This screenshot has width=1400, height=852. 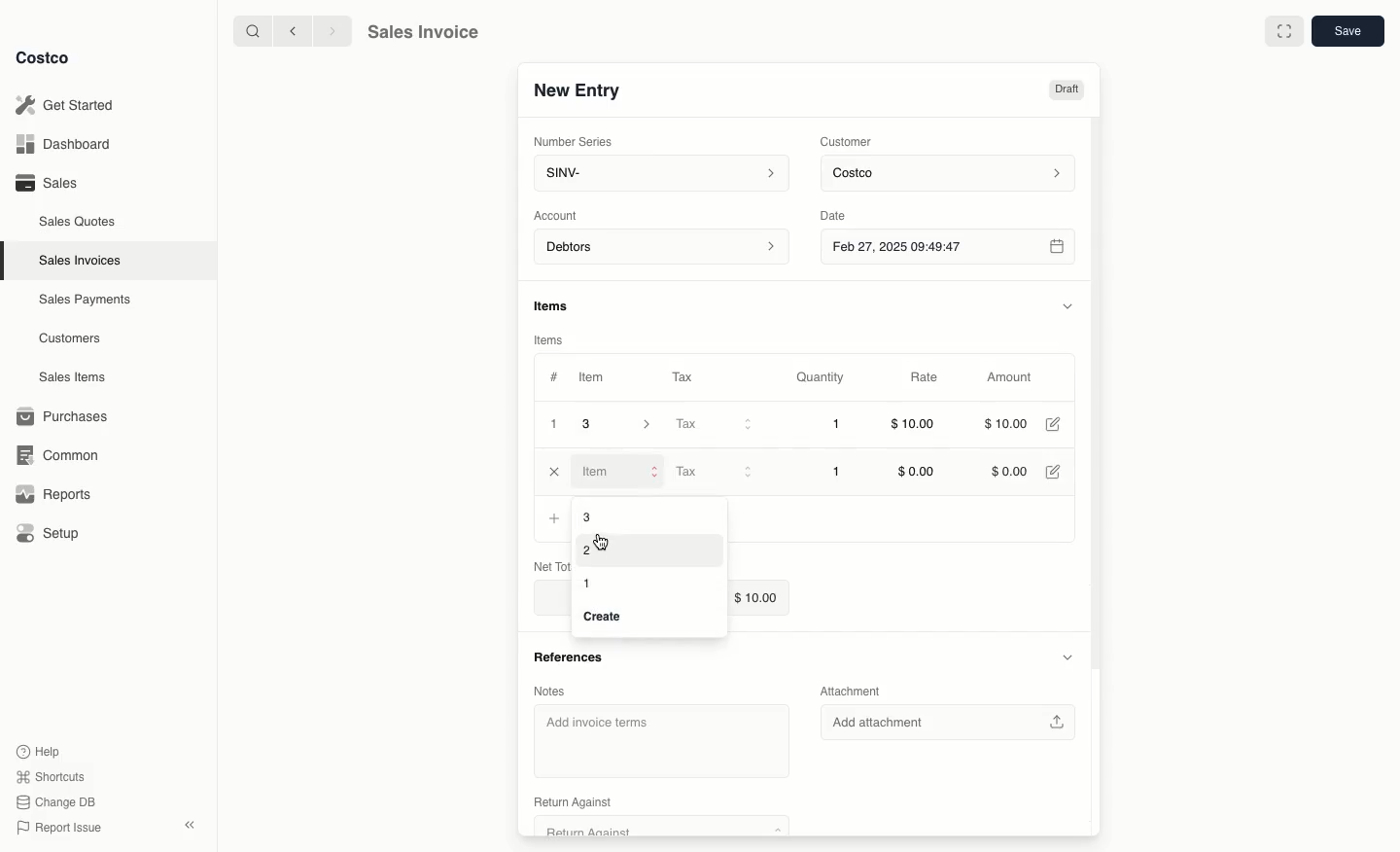 What do you see at coordinates (50, 535) in the screenshot?
I see `Setup` at bounding box center [50, 535].